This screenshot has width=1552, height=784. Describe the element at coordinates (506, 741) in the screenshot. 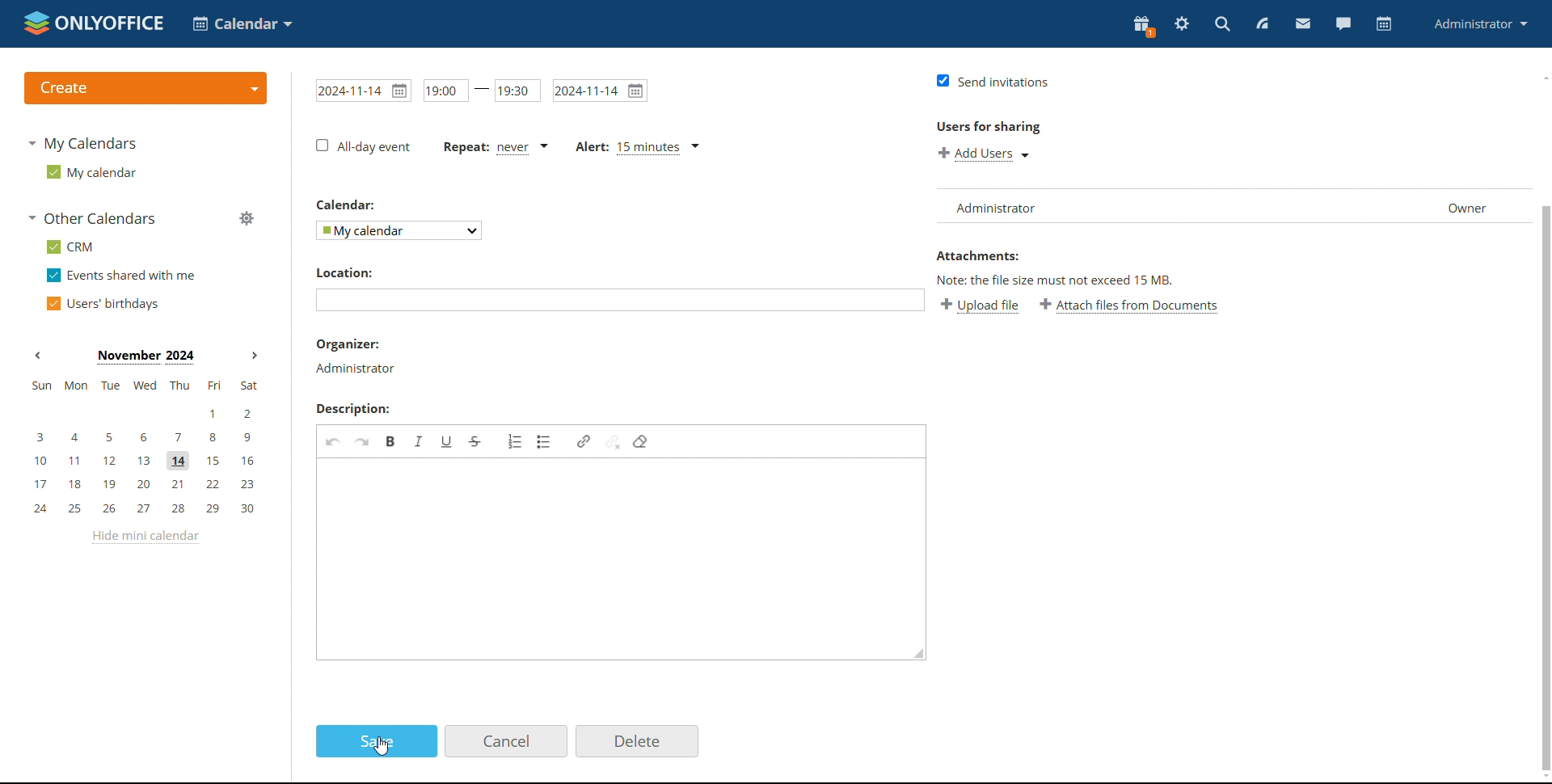

I see `cancel` at that location.